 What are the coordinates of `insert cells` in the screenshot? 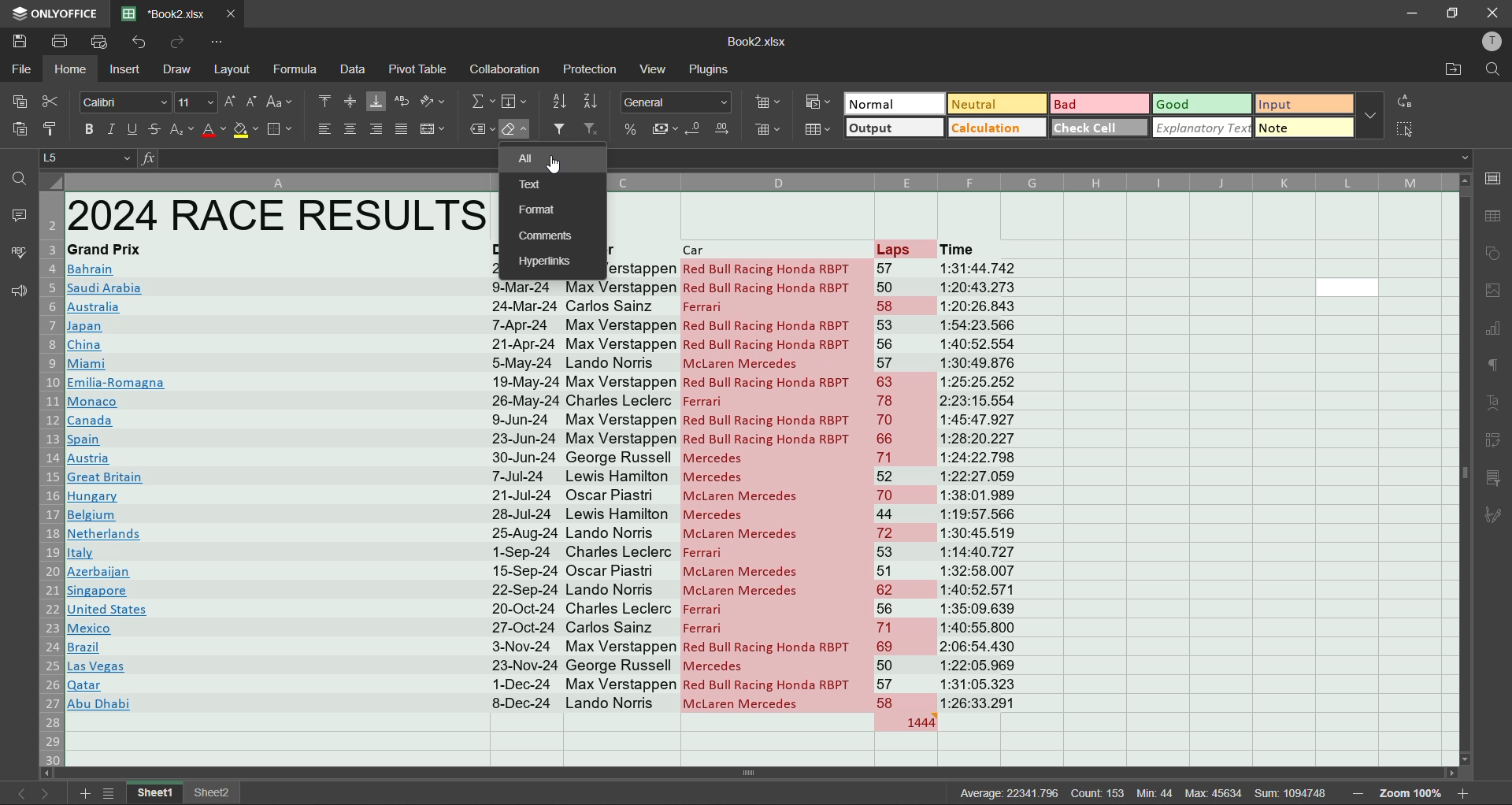 It's located at (770, 102).